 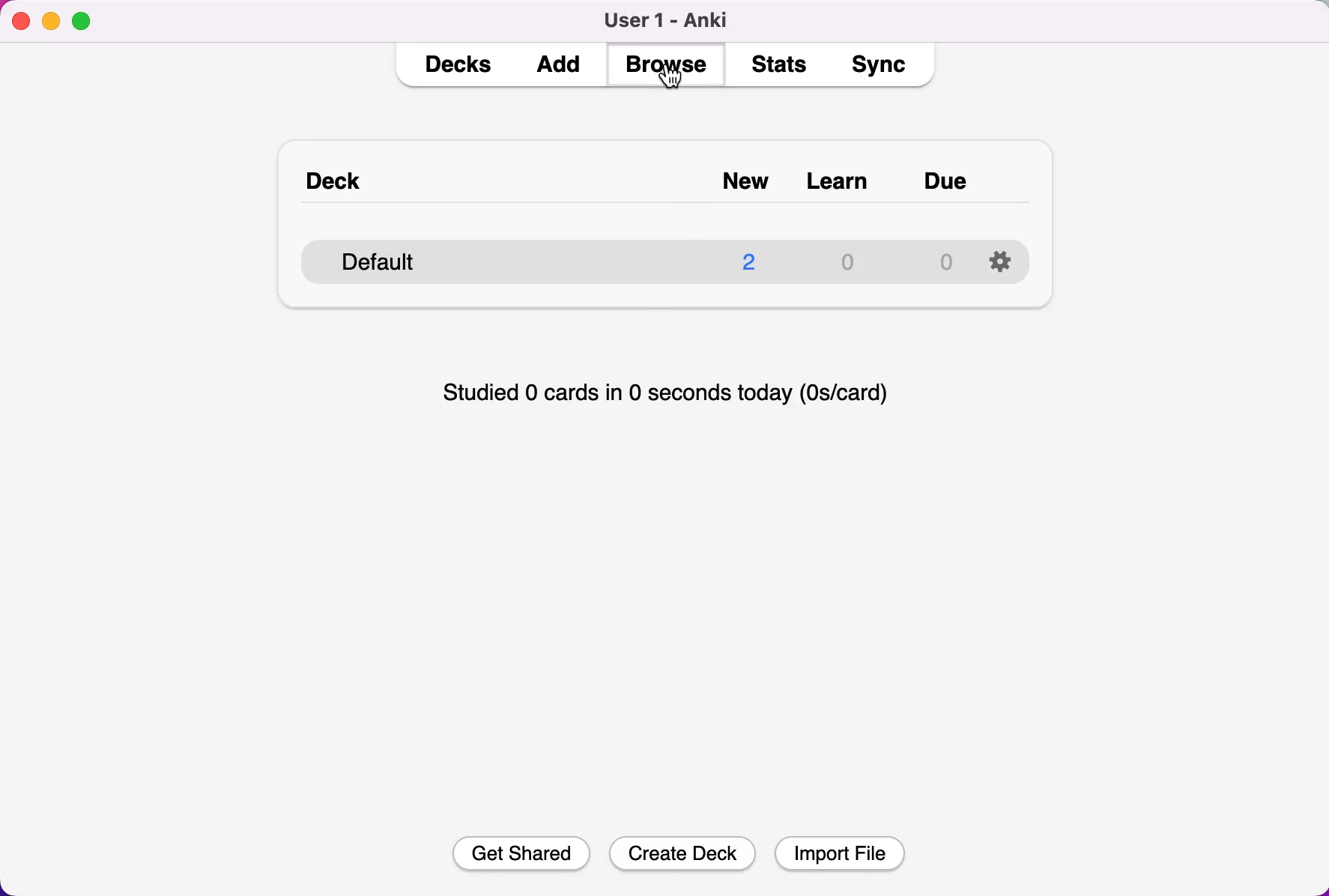 I want to click on user 1 - Anki, so click(x=671, y=21).